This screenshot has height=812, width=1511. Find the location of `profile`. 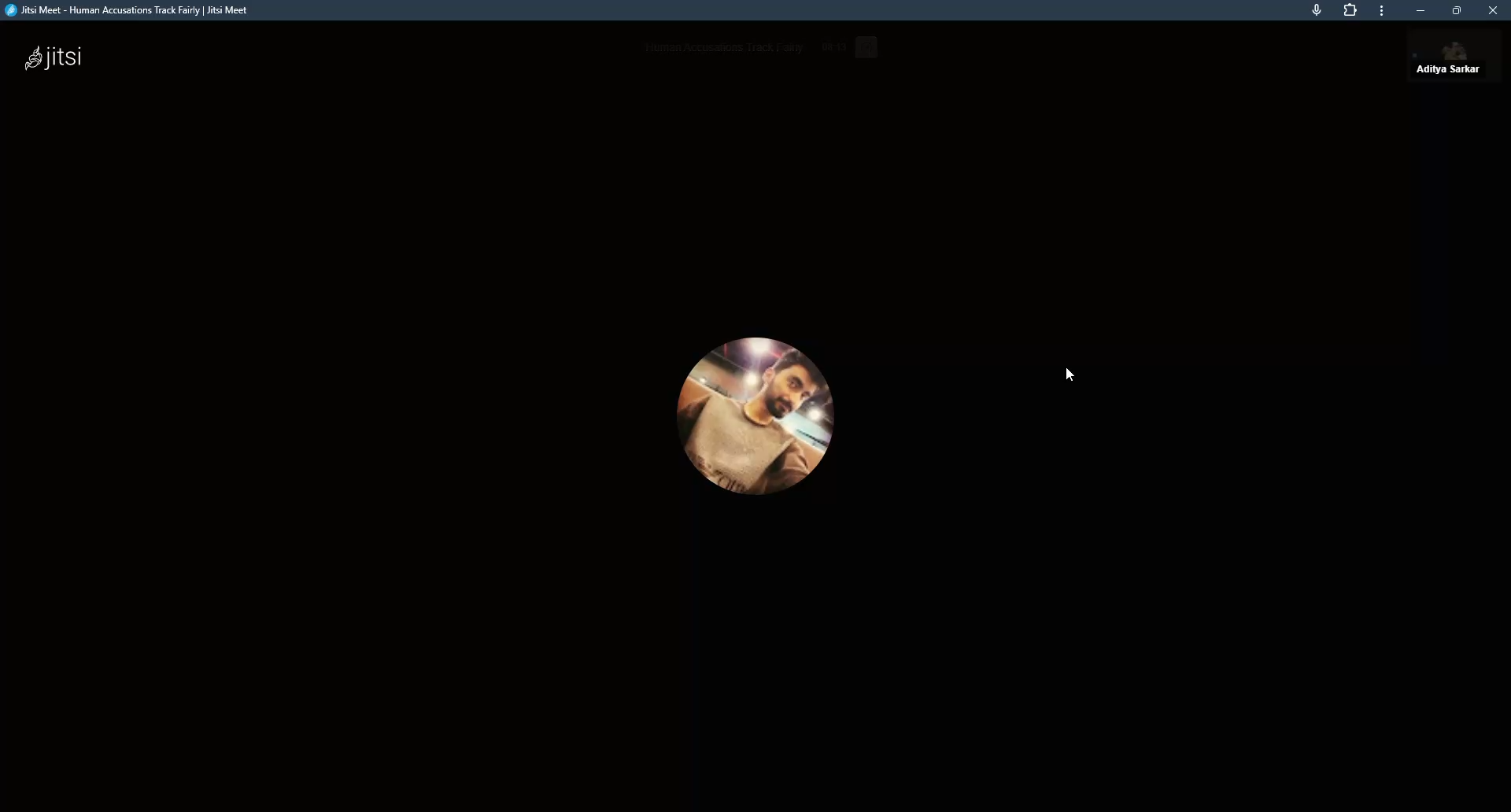

profile is located at coordinates (751, 412).